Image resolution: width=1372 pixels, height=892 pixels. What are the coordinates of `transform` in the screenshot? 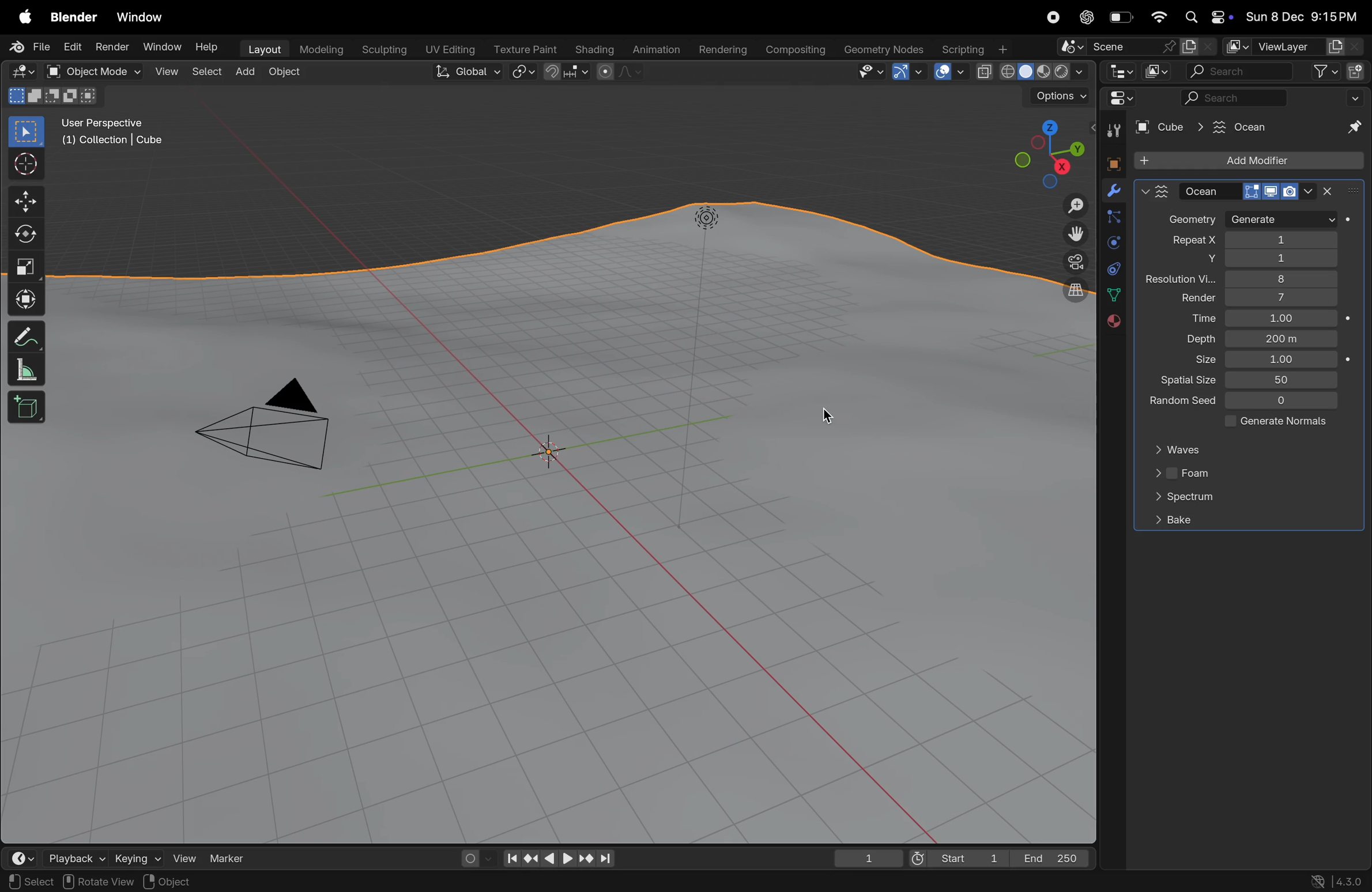 It's located at (26, 298).